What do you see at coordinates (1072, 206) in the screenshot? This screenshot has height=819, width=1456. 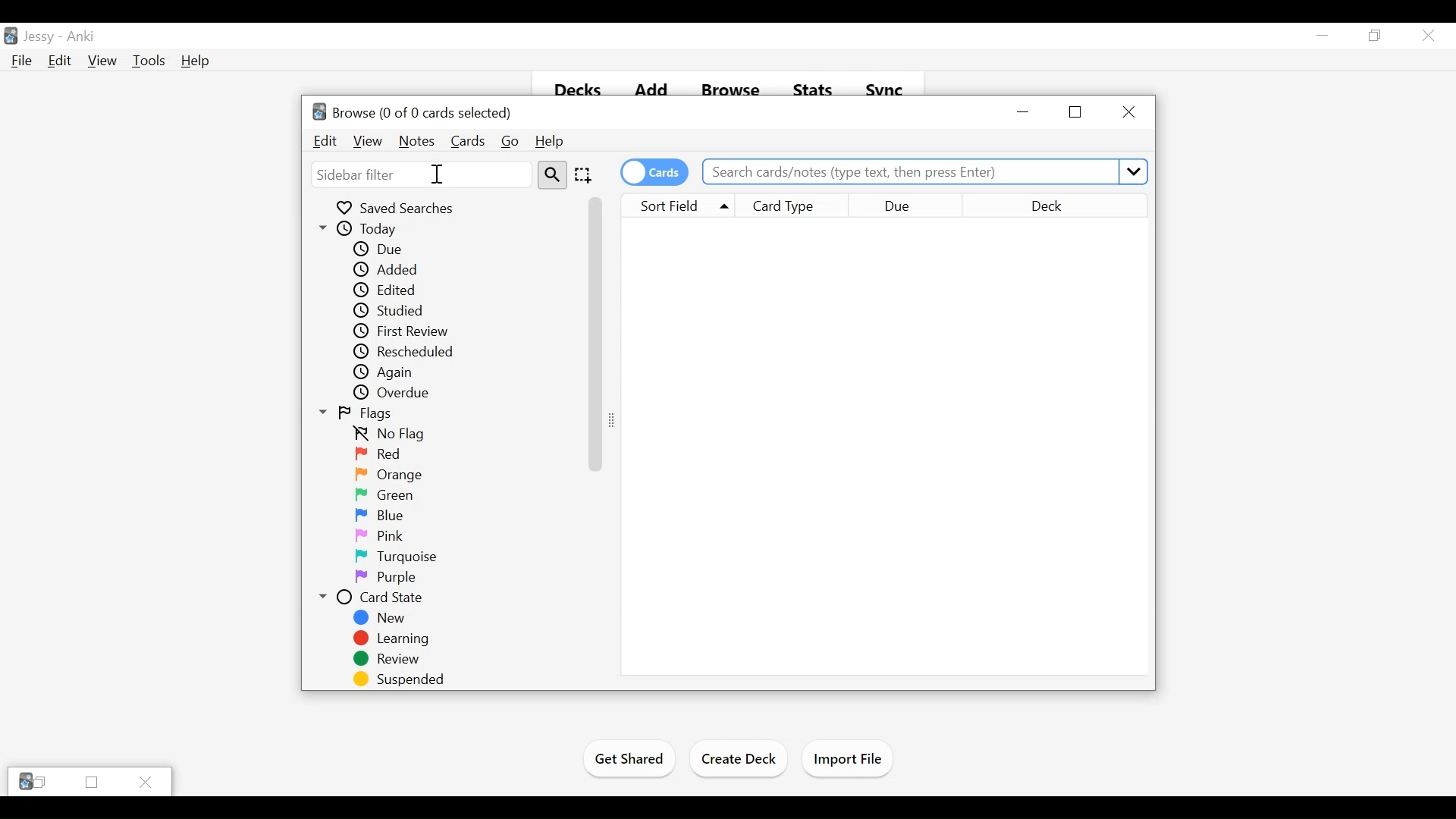 I see `Deck` at bounding box center [1072, 206].